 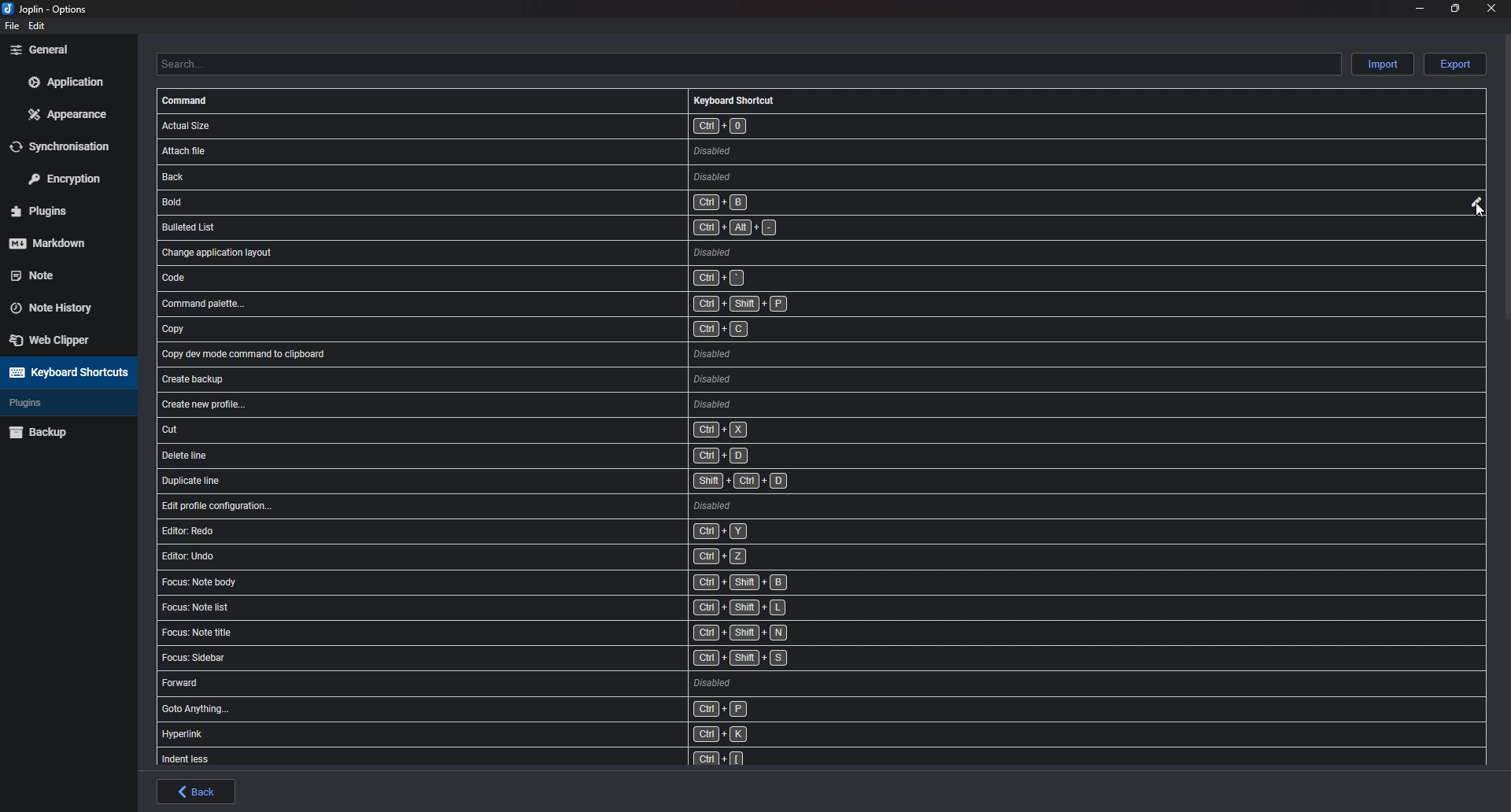 What do you see at coordinates (515, 660) in the screenshot?
I see `shortcut` at bounding box center [515, 660].